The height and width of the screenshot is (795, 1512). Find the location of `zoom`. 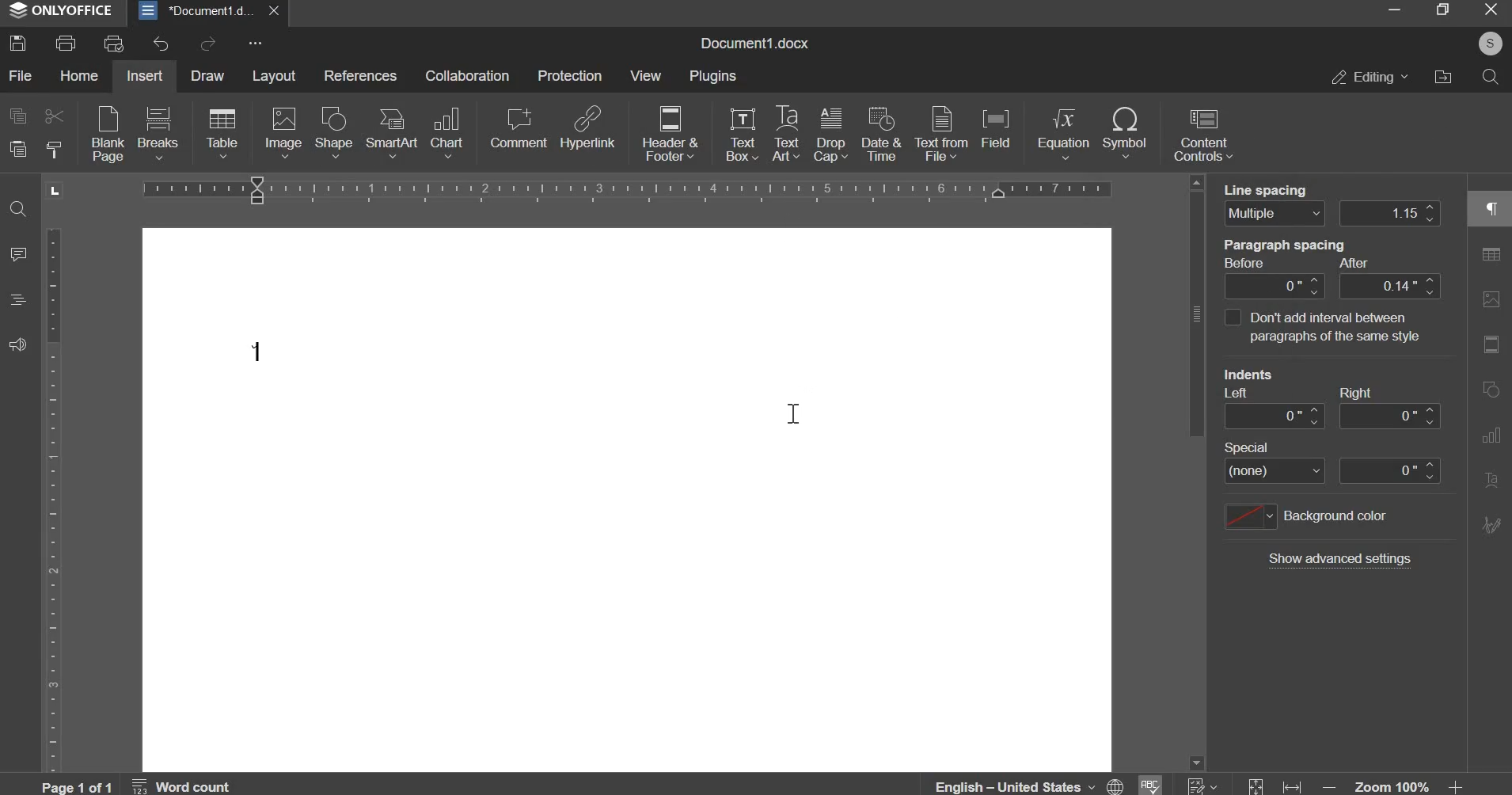

zoom is located at coordinates (1394, 786).